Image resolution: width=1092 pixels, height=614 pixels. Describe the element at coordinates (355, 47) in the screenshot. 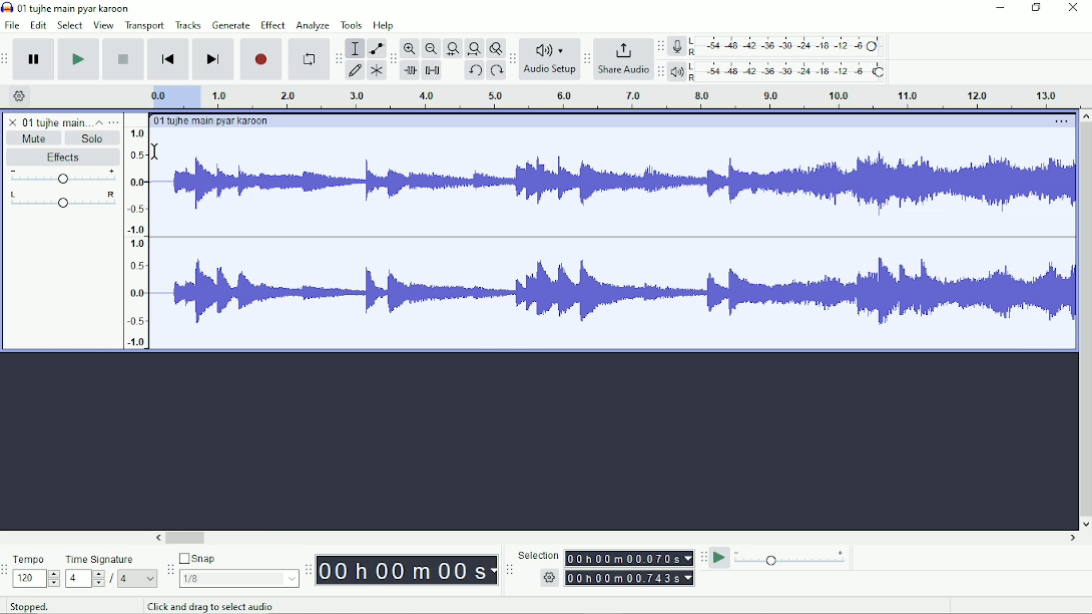

I see `Selection tool` at that location.